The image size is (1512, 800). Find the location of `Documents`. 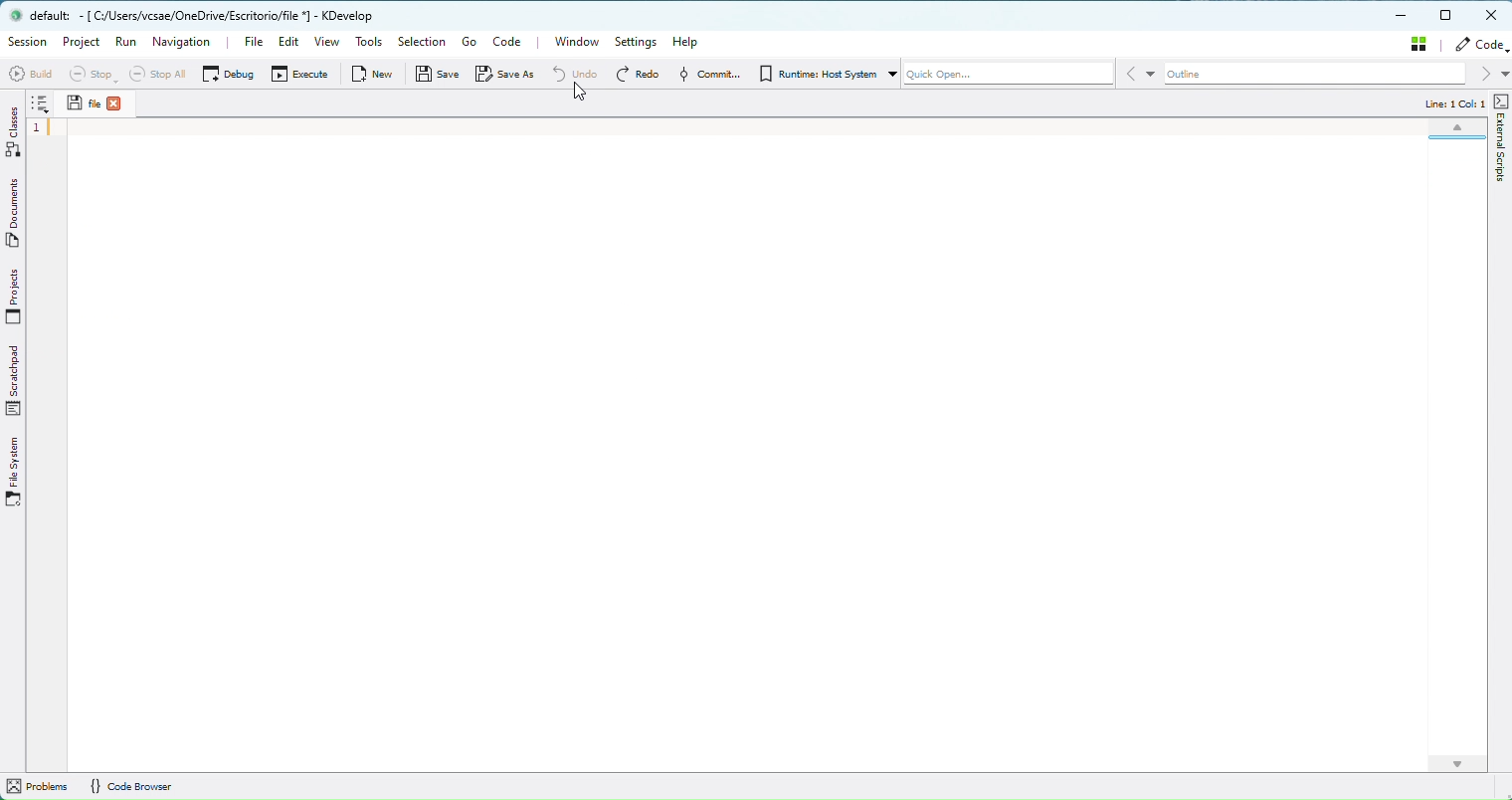

Documents is located at coordinates (15, 209).